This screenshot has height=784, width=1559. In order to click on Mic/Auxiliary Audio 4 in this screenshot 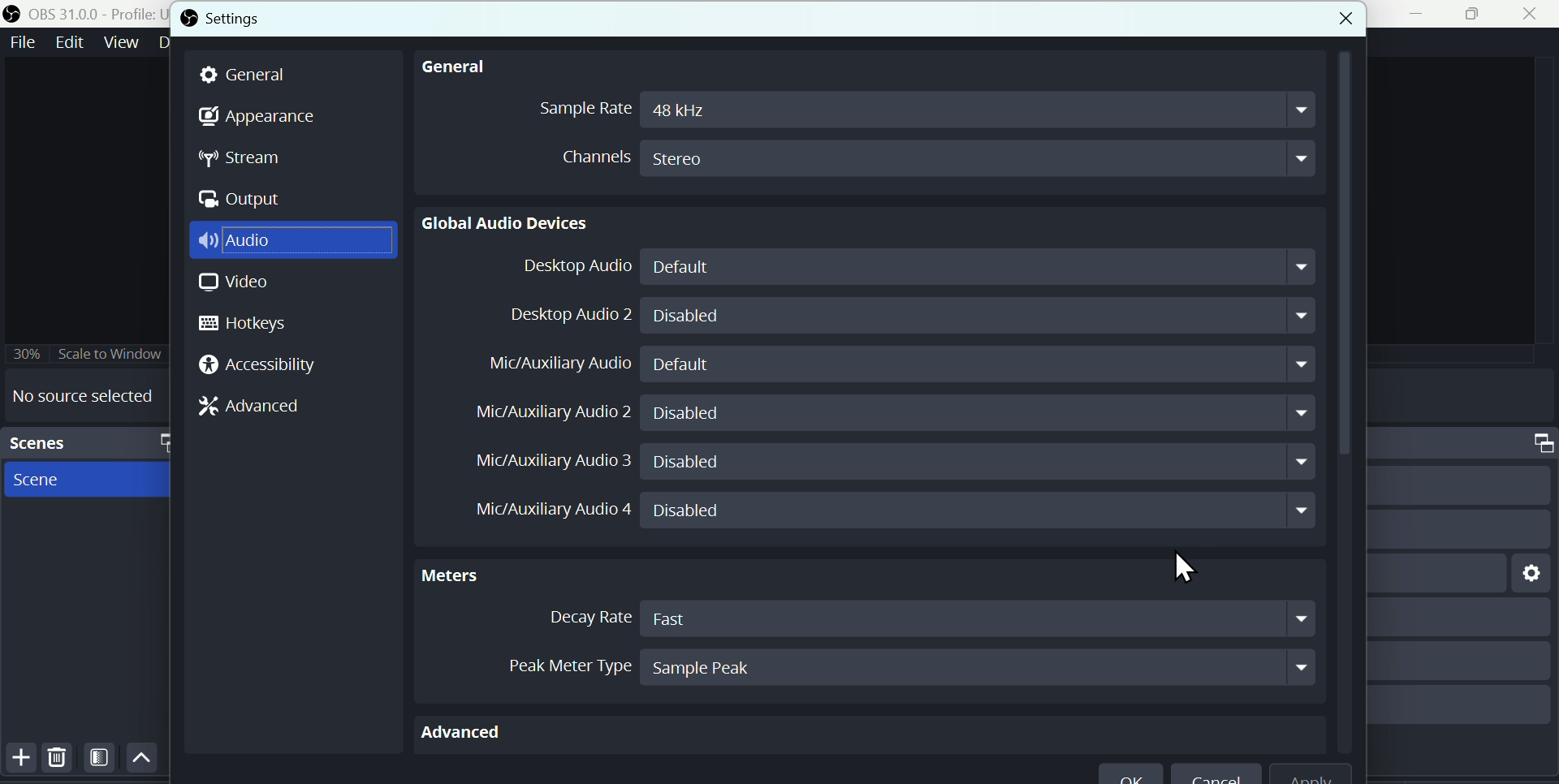, I will do `click(551, 507)`.